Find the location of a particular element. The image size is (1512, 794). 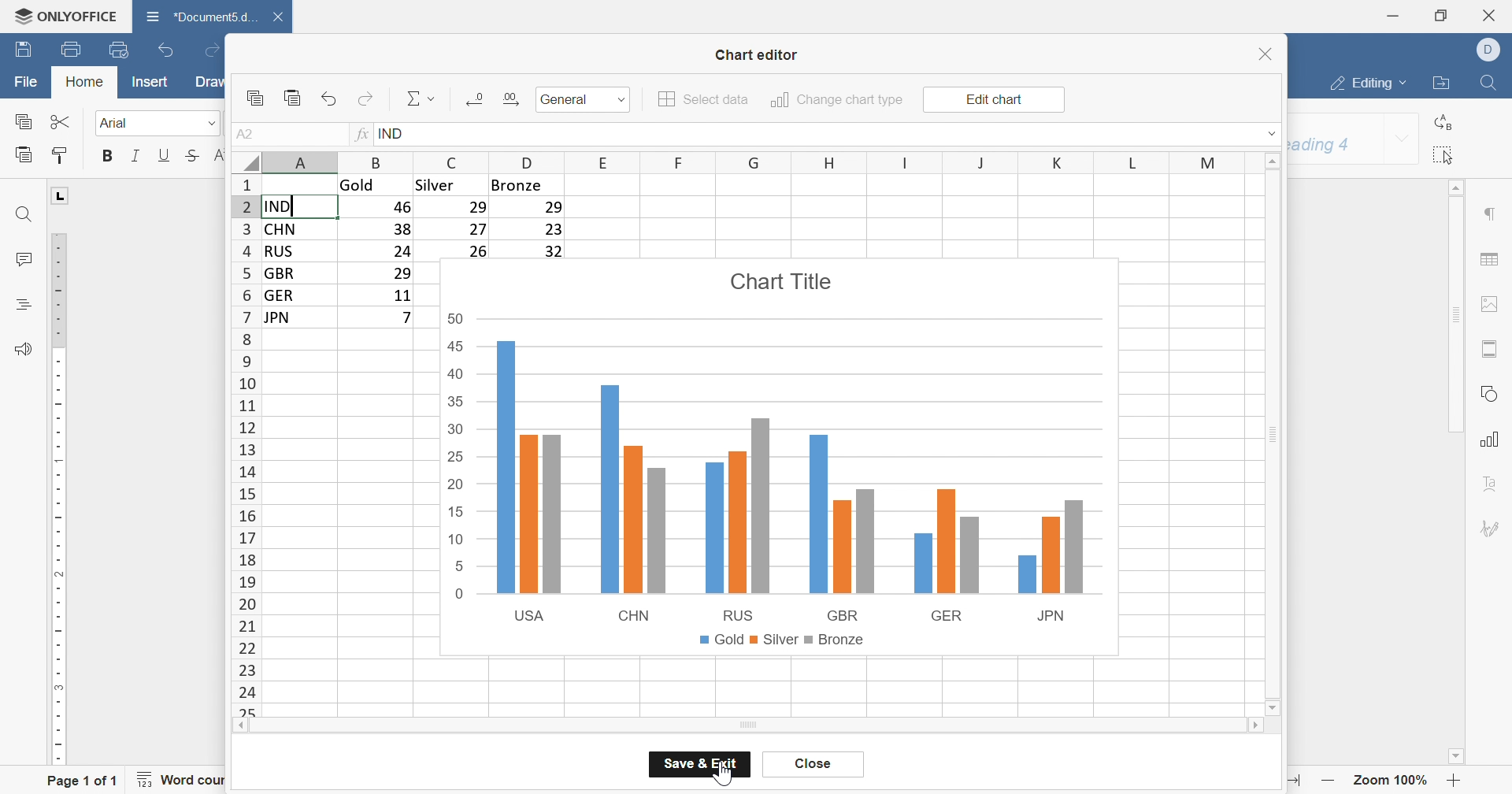

chart settings is located at coordinates (1492, 440).